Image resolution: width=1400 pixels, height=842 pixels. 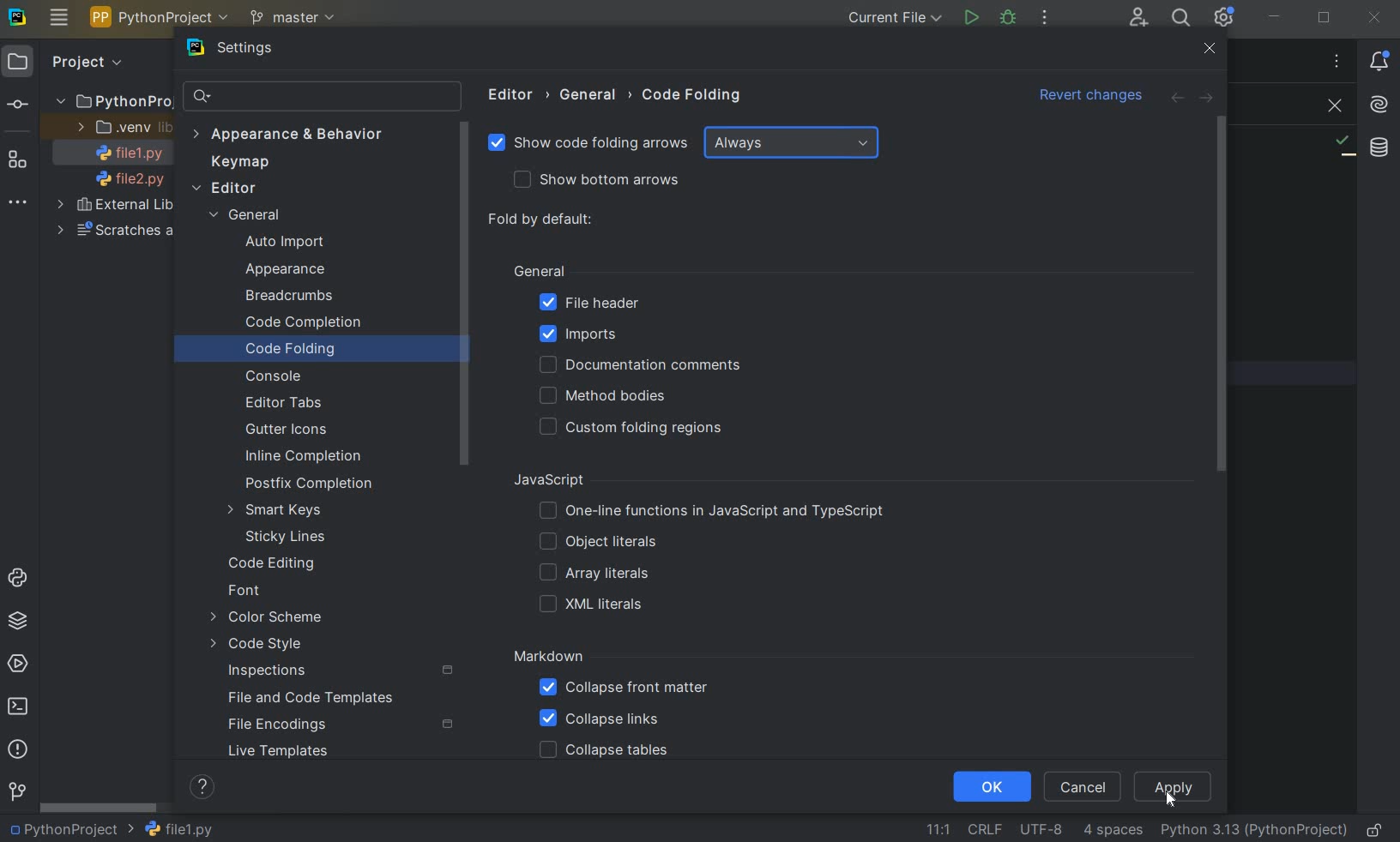 I want to click on CANCEL, so click(x=1085, y=785).